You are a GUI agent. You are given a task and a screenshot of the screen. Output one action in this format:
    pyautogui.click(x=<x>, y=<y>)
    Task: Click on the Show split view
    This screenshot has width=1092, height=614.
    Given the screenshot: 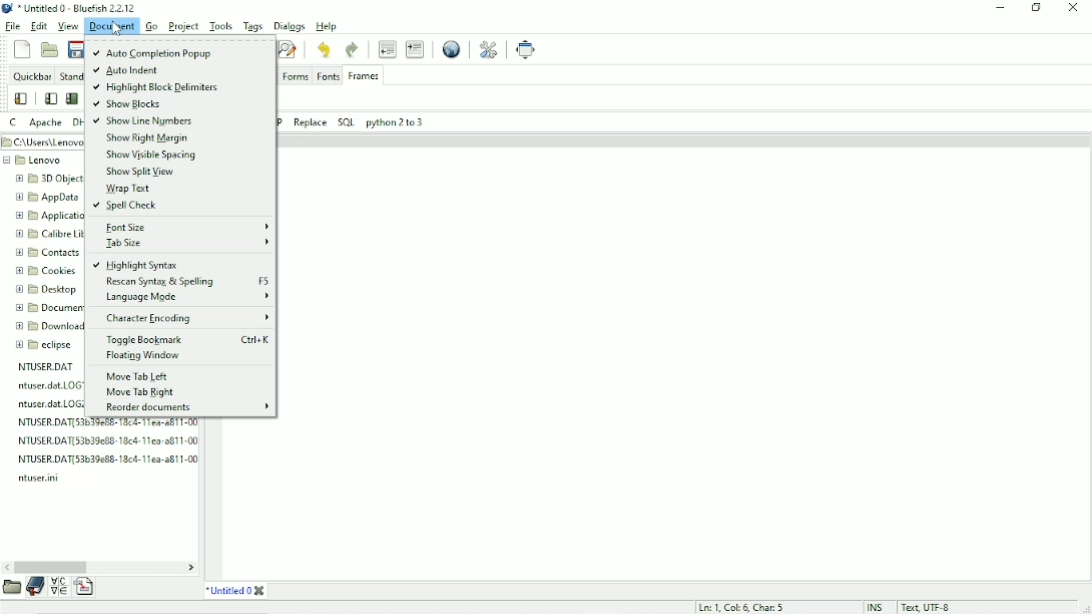 What is the action you would take?
    pyautogui.click(x=142, y=172)
    